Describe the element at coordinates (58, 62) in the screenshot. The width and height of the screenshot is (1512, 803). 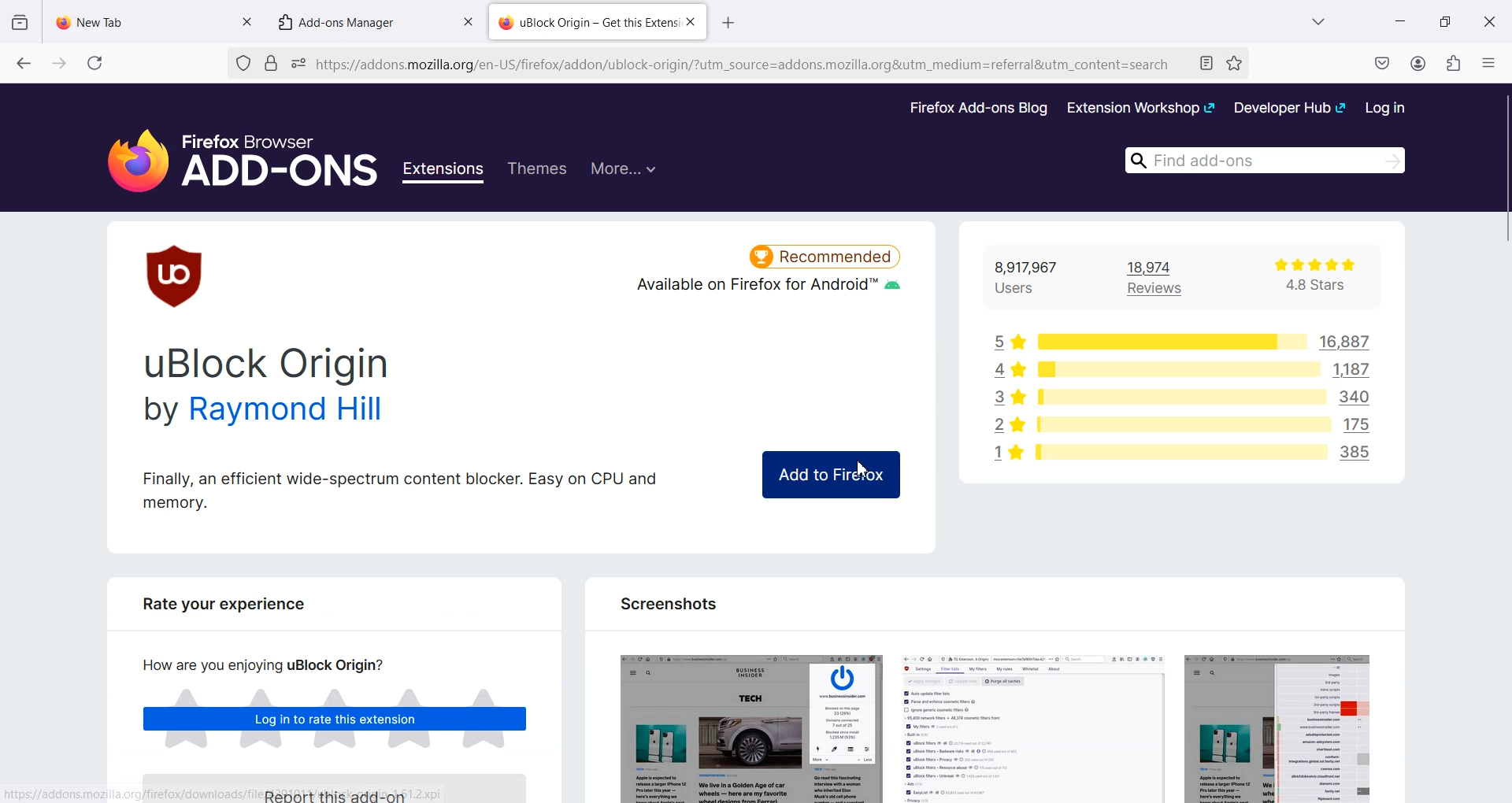
I see `Go forward to one page` at that location.